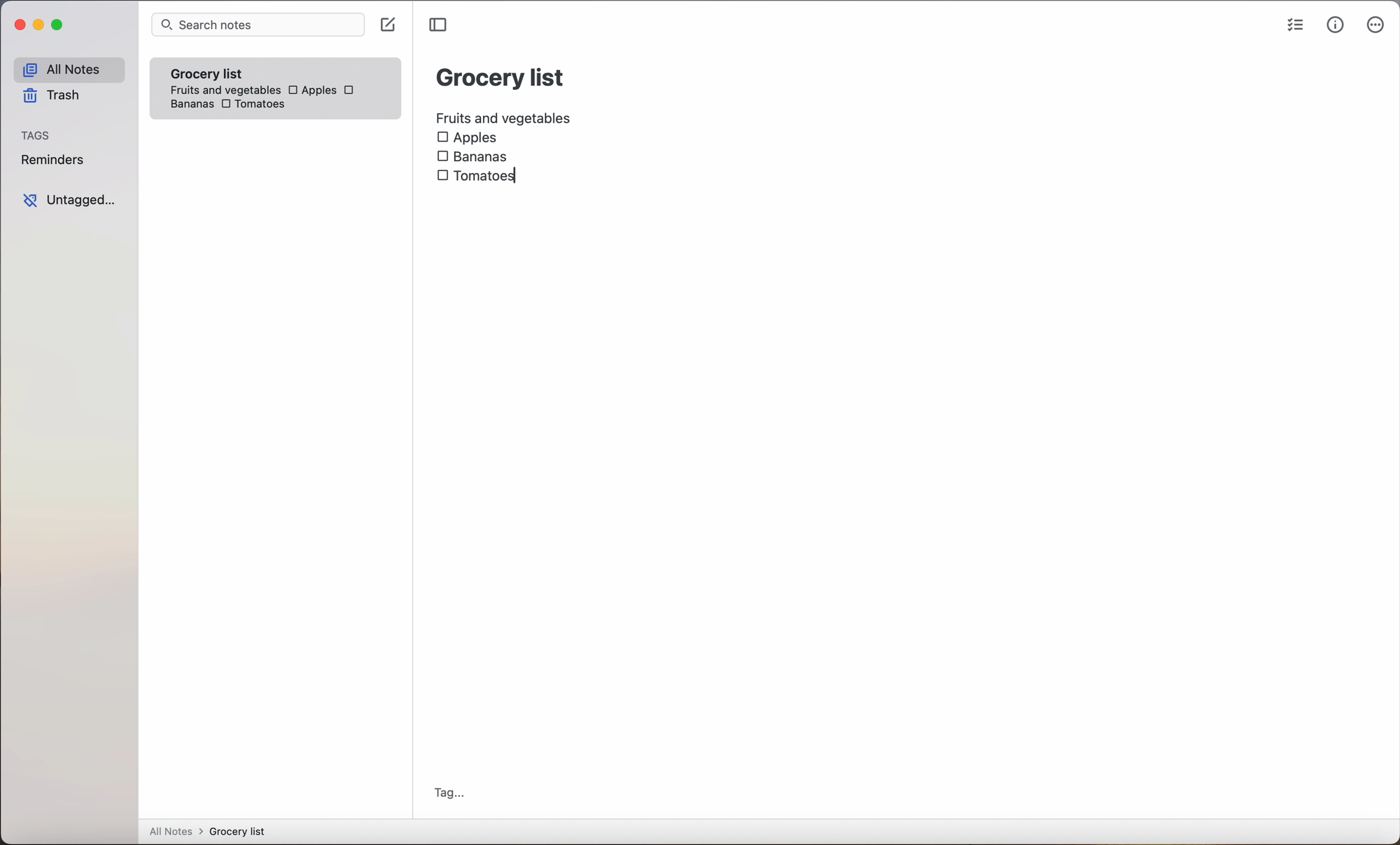 This screenshot has width=1400, height=845. What do you see at coordinates (212, 833) in the screenshot?
I see `all notes > grocery list` at bounding box center [212, 833].